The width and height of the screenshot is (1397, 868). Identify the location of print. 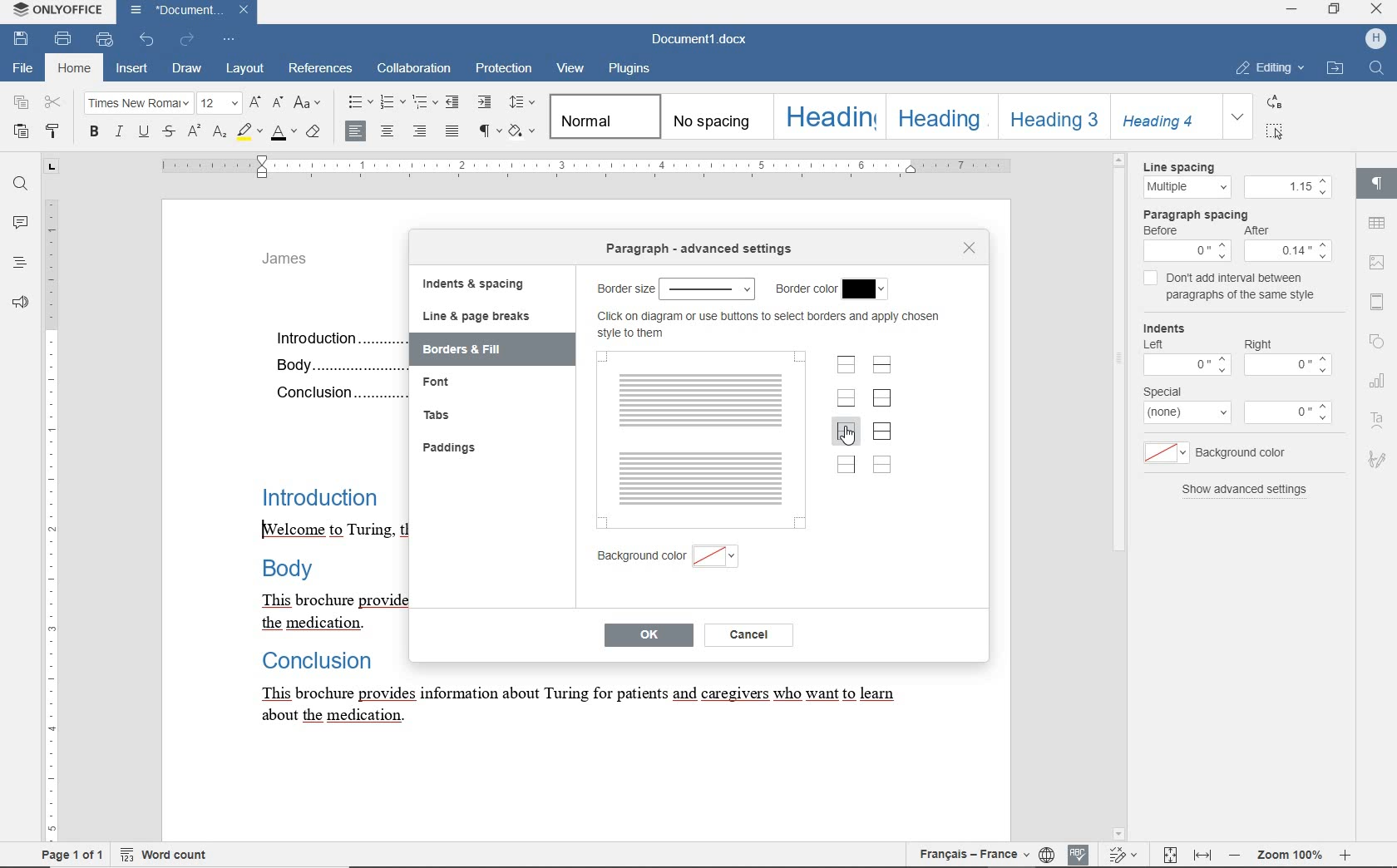
(64, 39).